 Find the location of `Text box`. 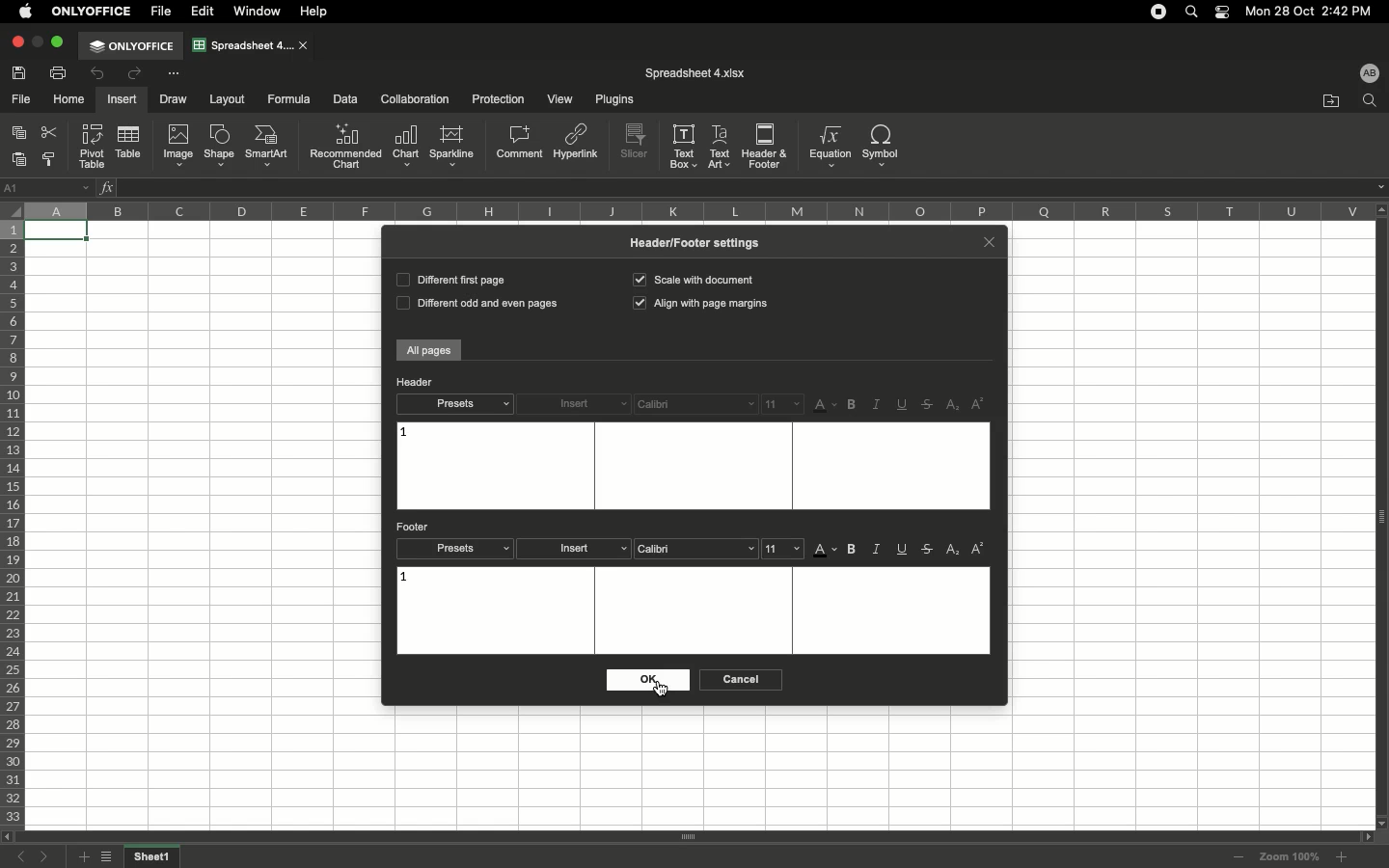

Text box is located at coordinates (684, 146).